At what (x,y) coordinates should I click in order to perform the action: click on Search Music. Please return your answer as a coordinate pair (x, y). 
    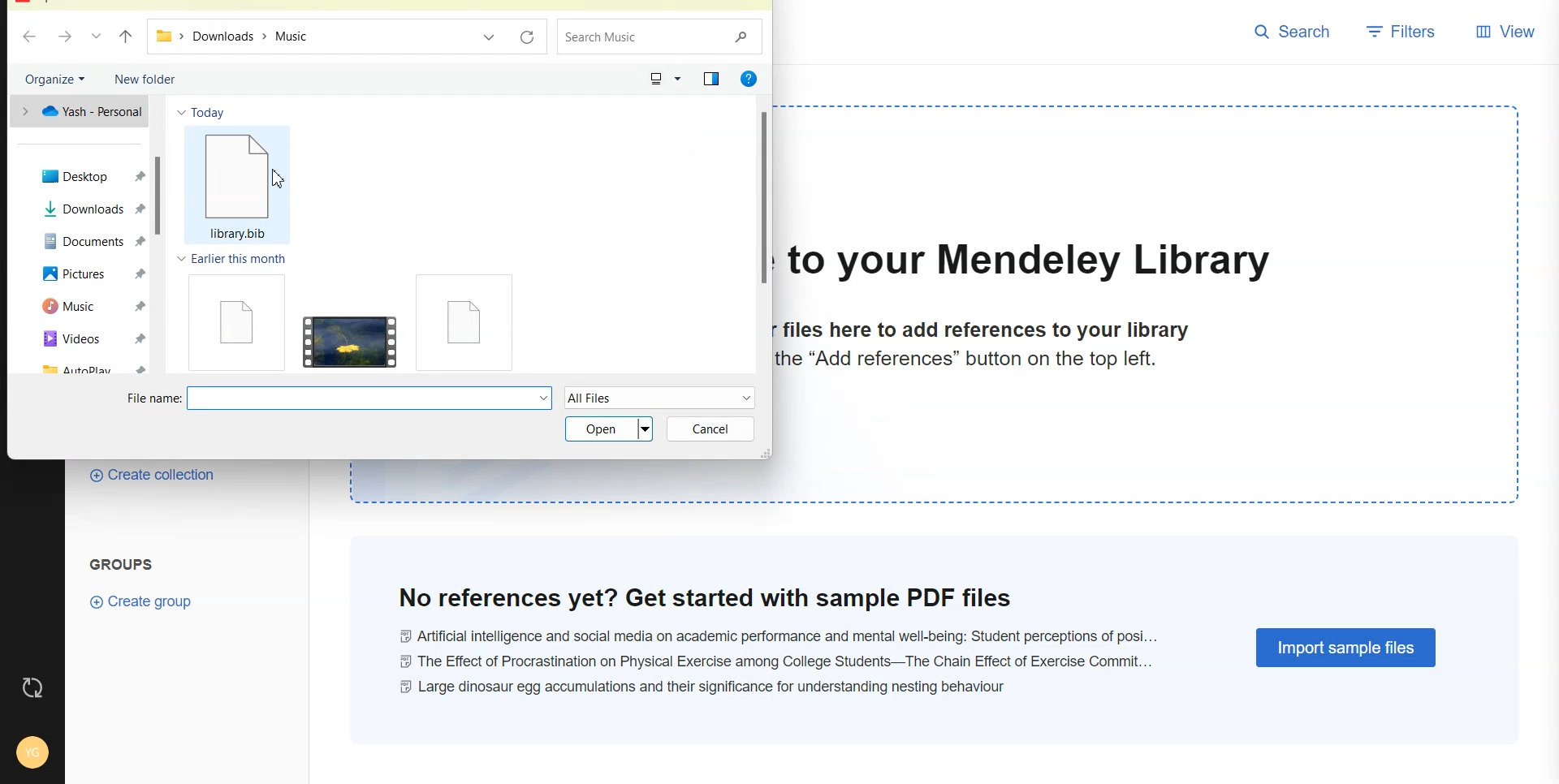
    Looking at the image, I should click on (657, 37).